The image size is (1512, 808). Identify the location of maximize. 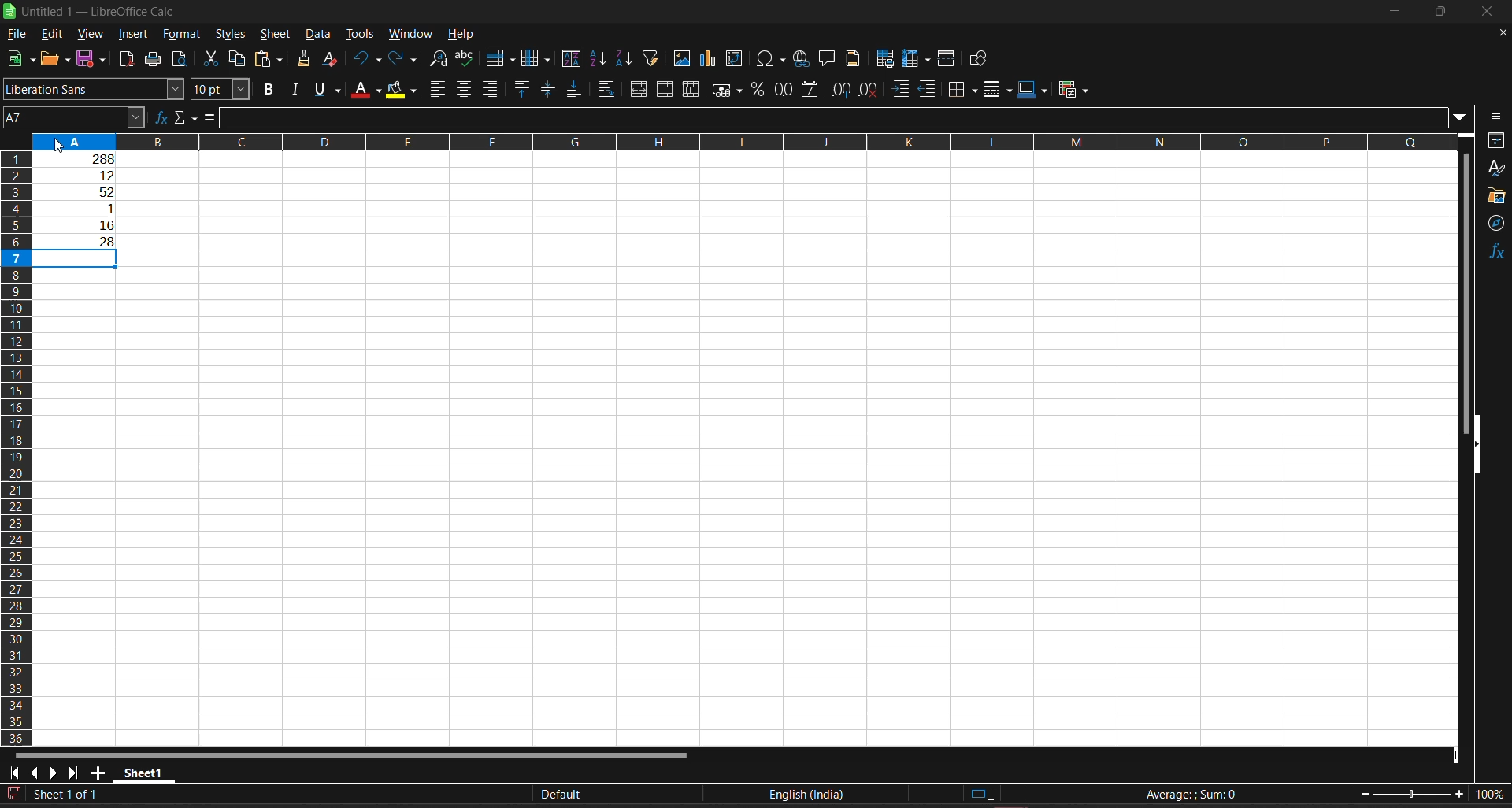
(1445, 12).